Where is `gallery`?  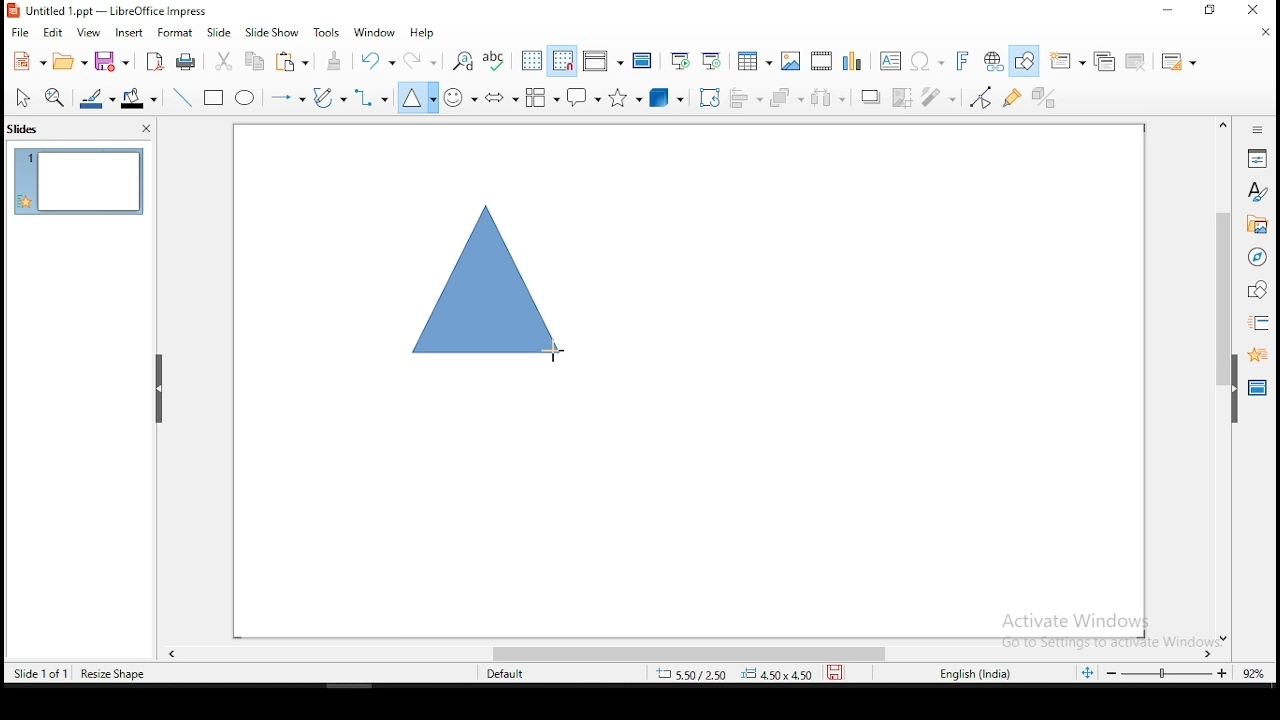 gallery is located at coordinates (1256, 227).